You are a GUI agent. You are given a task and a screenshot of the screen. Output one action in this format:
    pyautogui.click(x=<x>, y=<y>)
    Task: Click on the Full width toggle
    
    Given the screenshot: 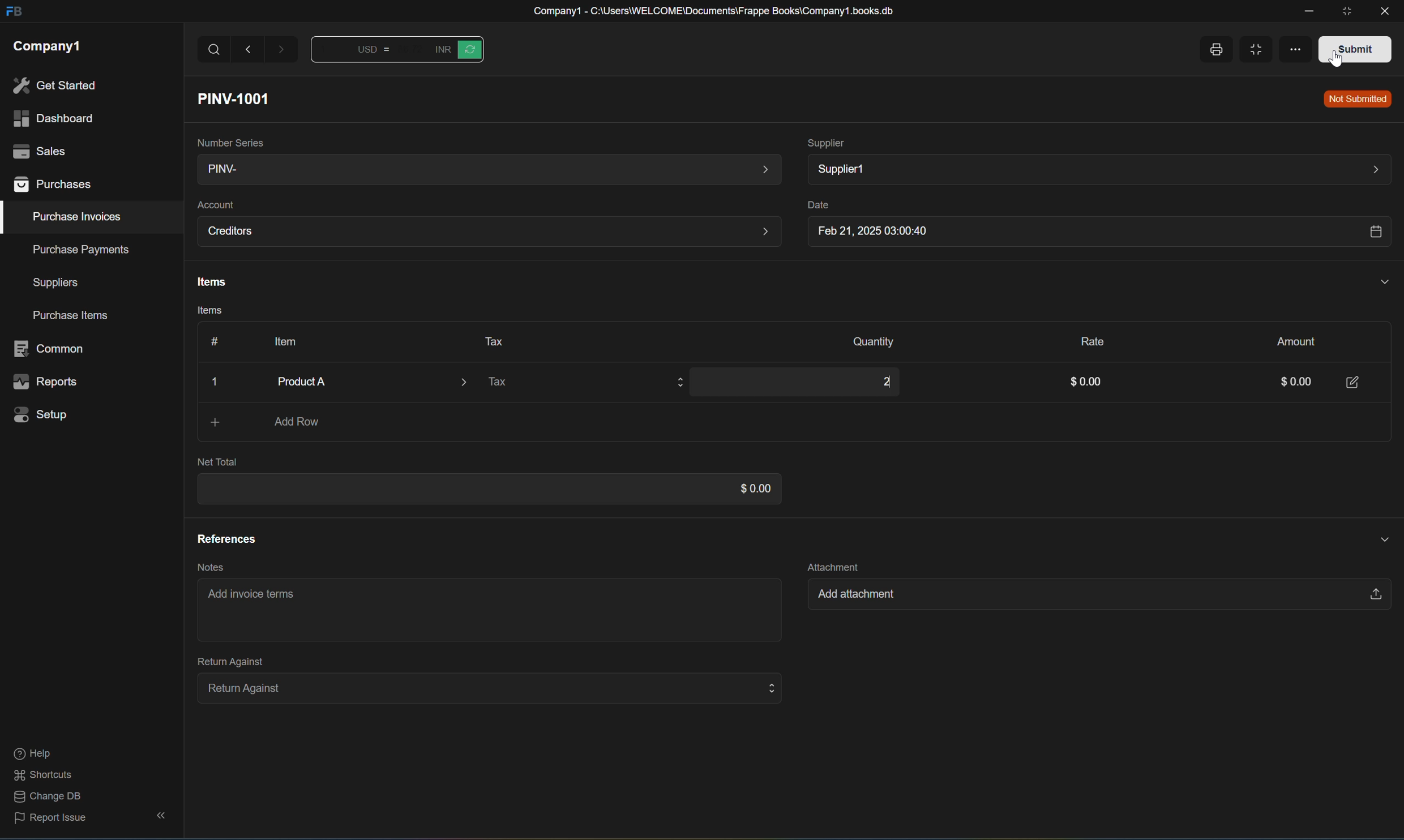 What is the action you would take?
    pyautogui.click(x=1252, y=51)
    